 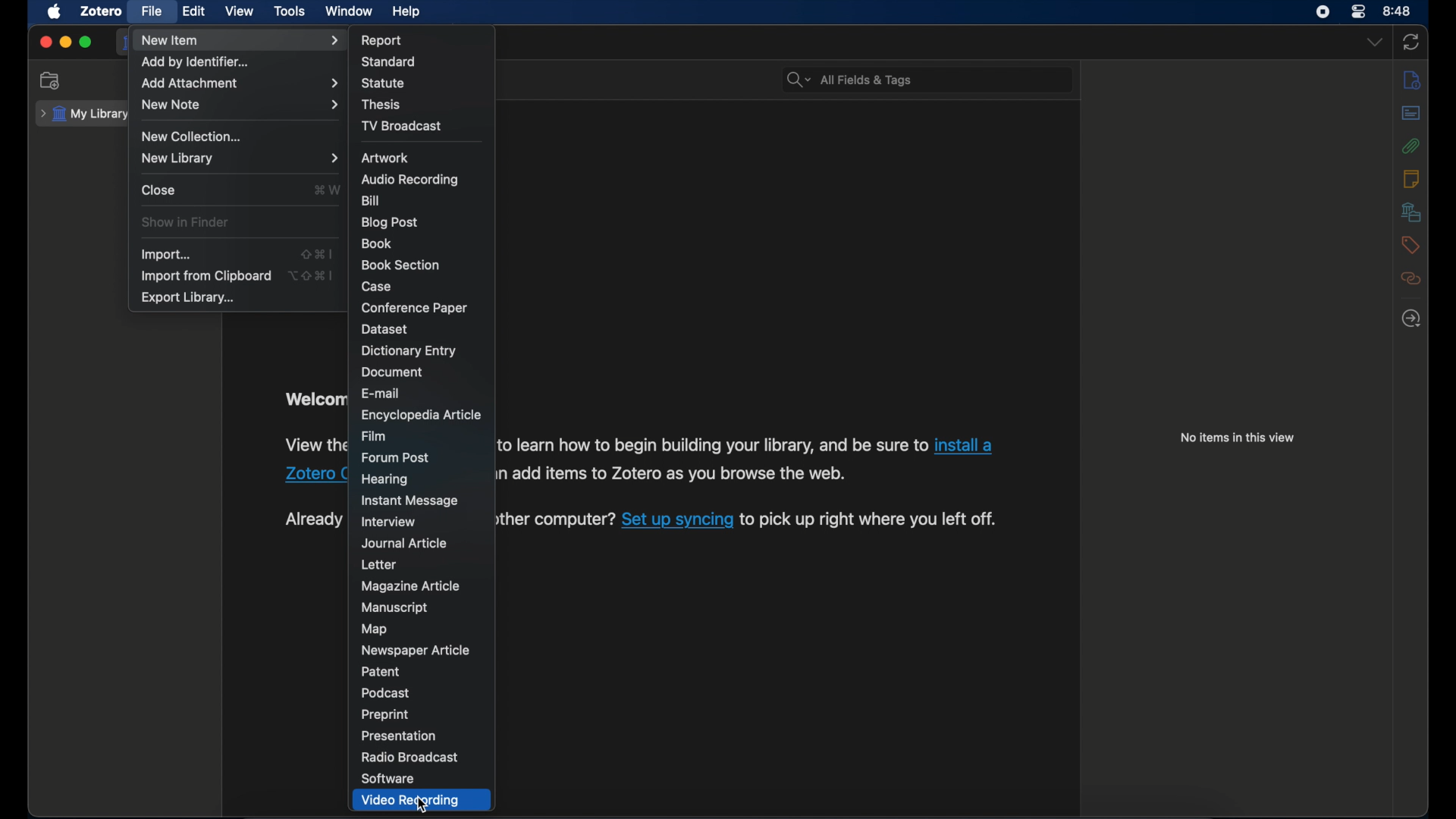 I want to click on case, so click(x=376, y=287).